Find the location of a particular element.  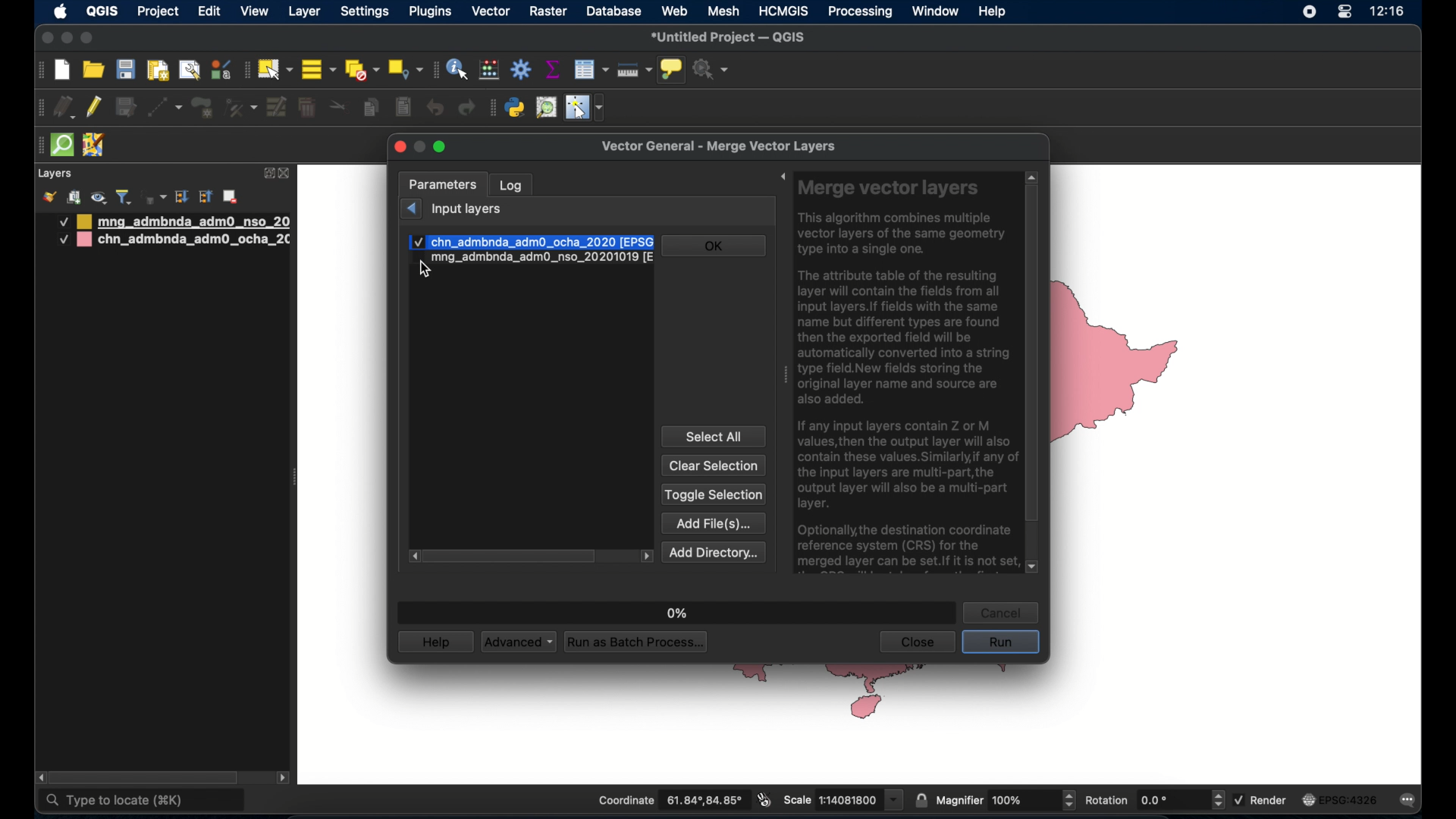

remove layer/group is located at coordinates (233, 196).